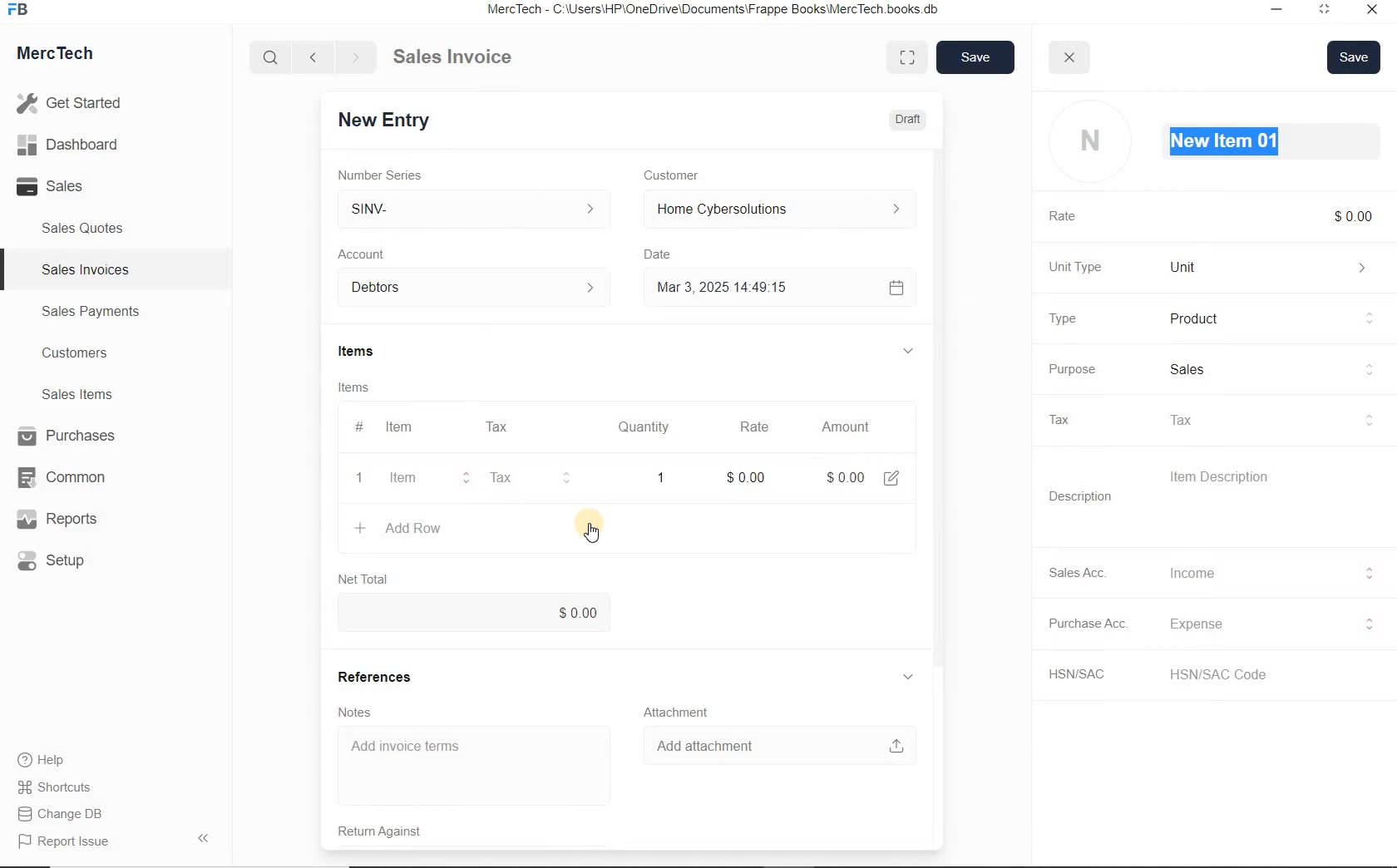  Describe the element at coordinates (1355, 216) in the screenshot. I see `$0.00` at that location.